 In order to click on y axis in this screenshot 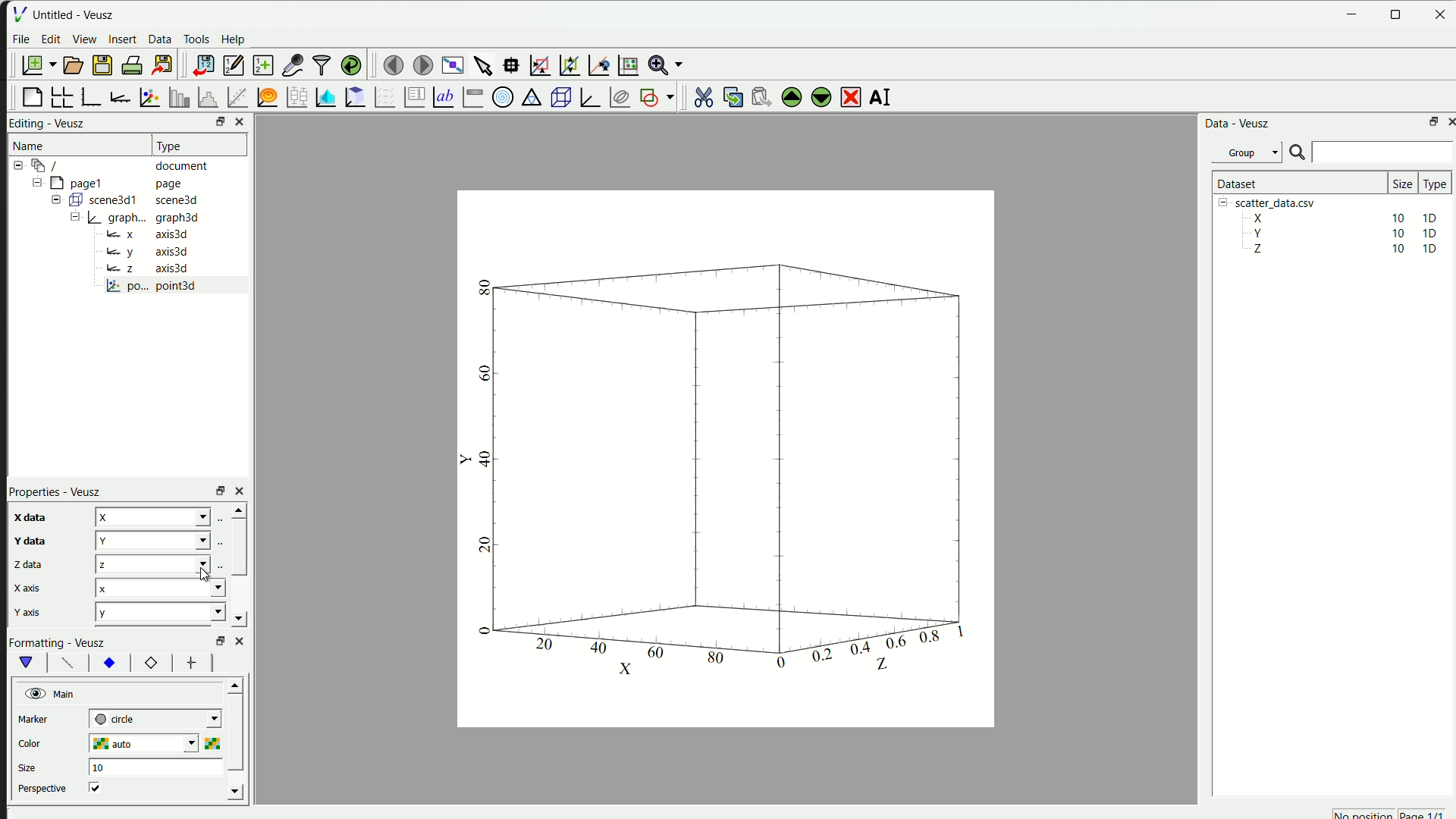, I will do `click(27, 609)`.